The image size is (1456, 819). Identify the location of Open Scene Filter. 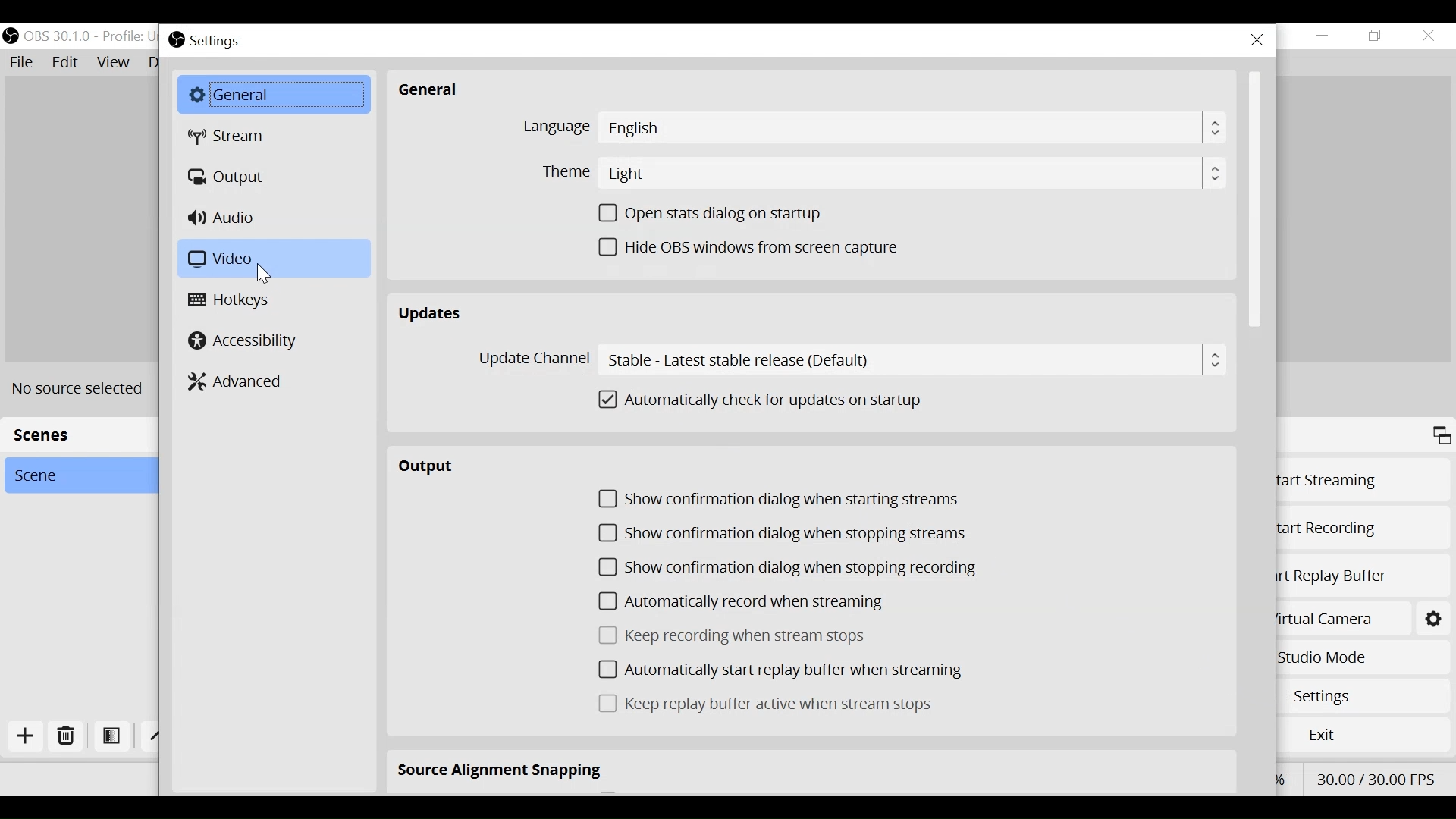
(111, 737).